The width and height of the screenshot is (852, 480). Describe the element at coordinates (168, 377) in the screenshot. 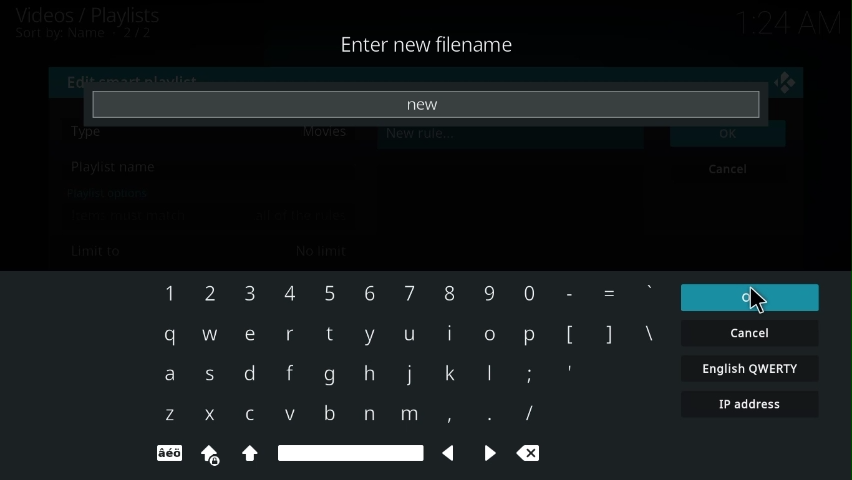

I see `a` at that location.